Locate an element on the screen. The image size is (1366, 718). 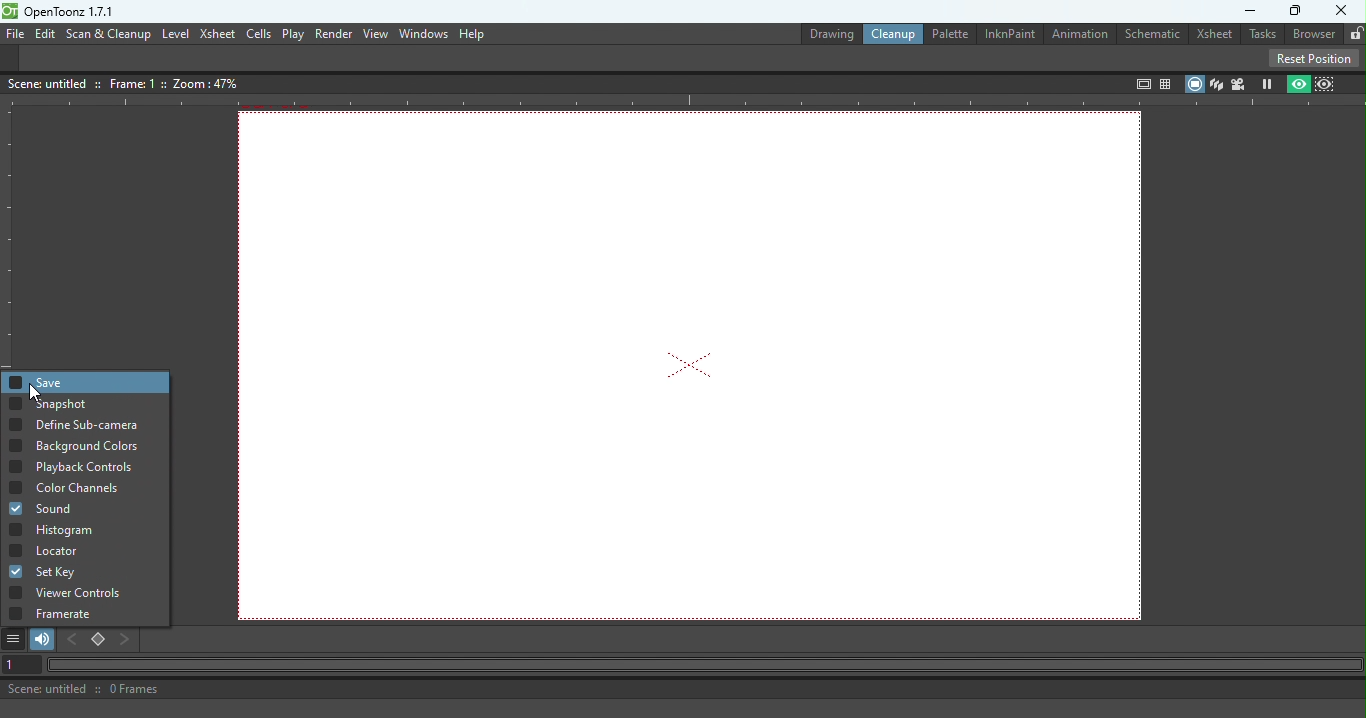
3D View is located at coordinates (1216, 83).